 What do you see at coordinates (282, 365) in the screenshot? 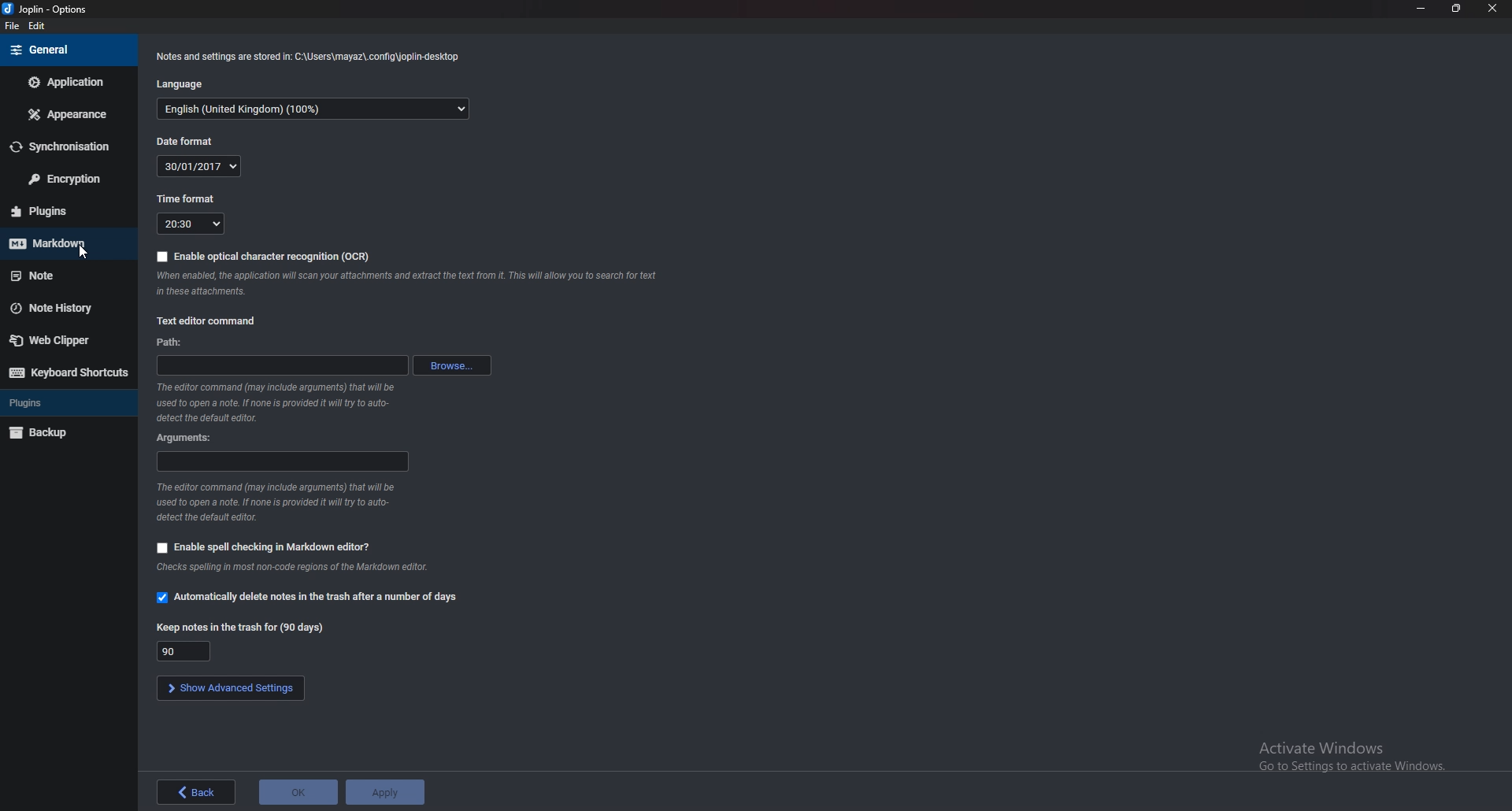
I see `path input` at bounding box center [282, 365].